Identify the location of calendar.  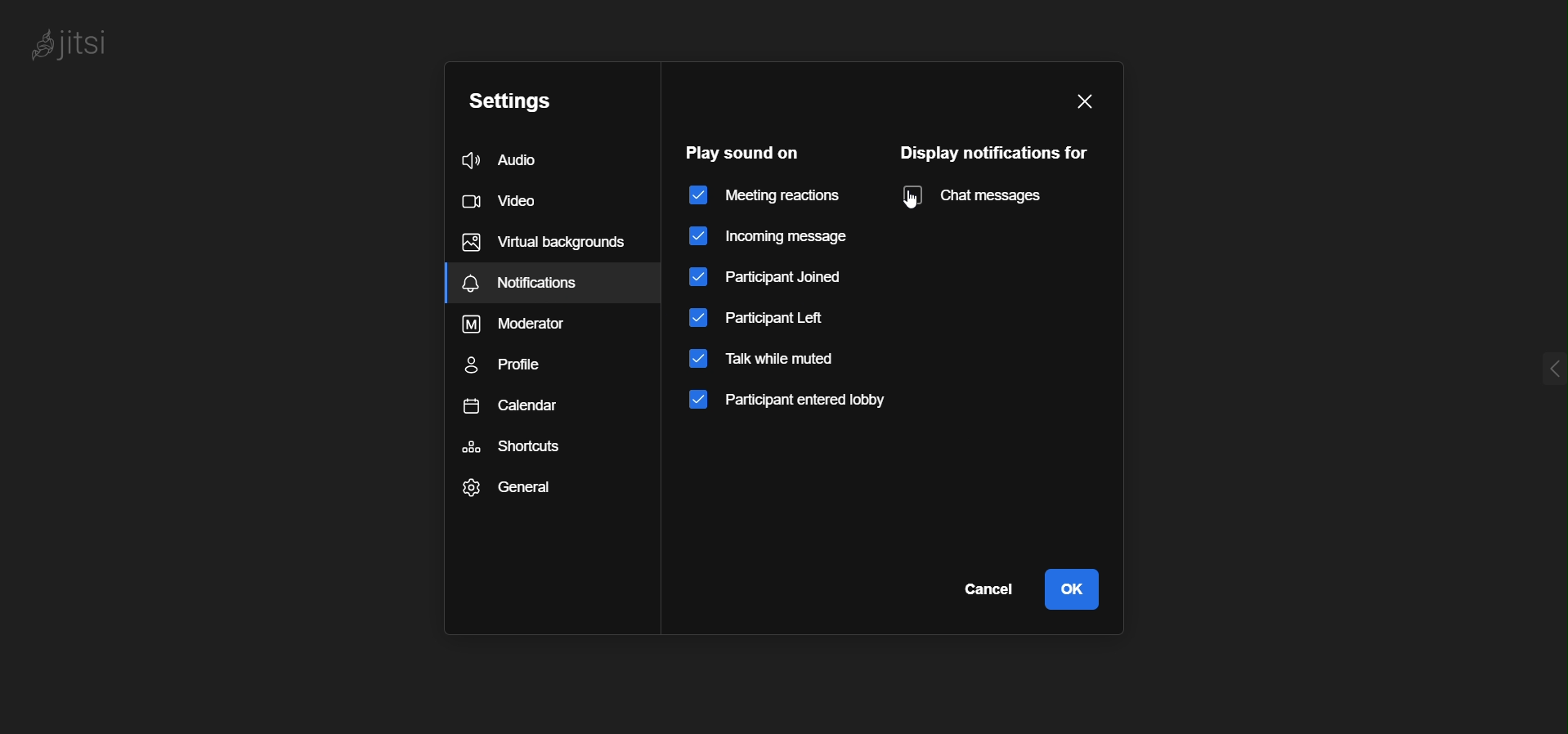
(528, 407).